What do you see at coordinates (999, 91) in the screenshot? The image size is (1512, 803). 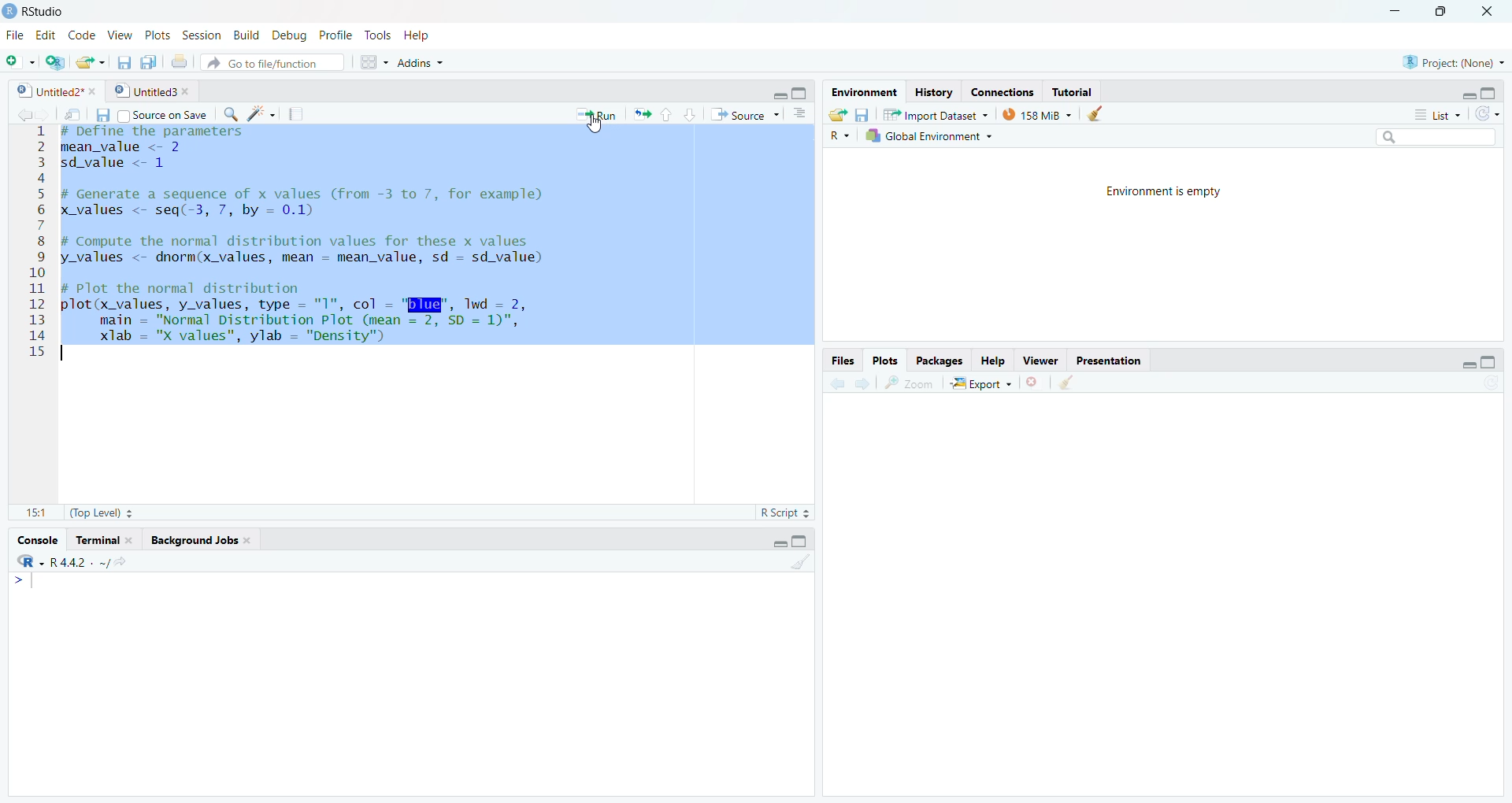 I see `Connections` at bounding box center [999, 91].